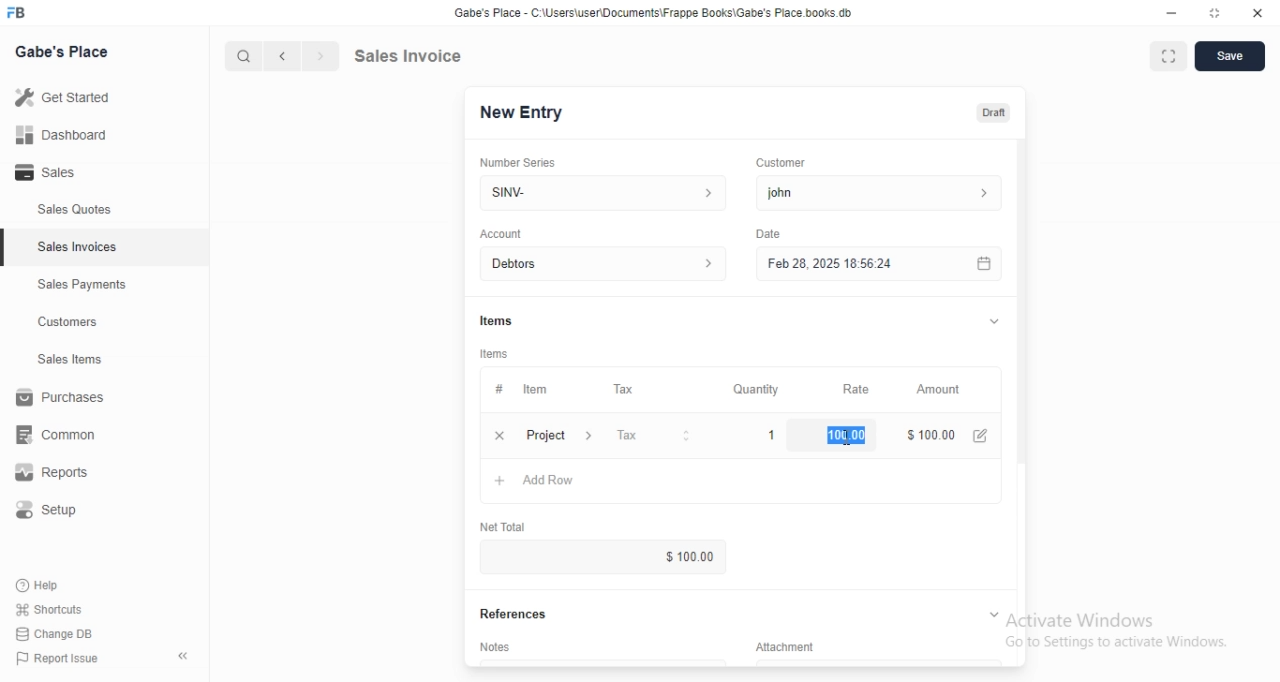 The height and width of the screenshot is (682, 1280). What do you see at coordinates (940, 390) in the screenshot?
I see `‘Amount` at bounding box center [940, 390].